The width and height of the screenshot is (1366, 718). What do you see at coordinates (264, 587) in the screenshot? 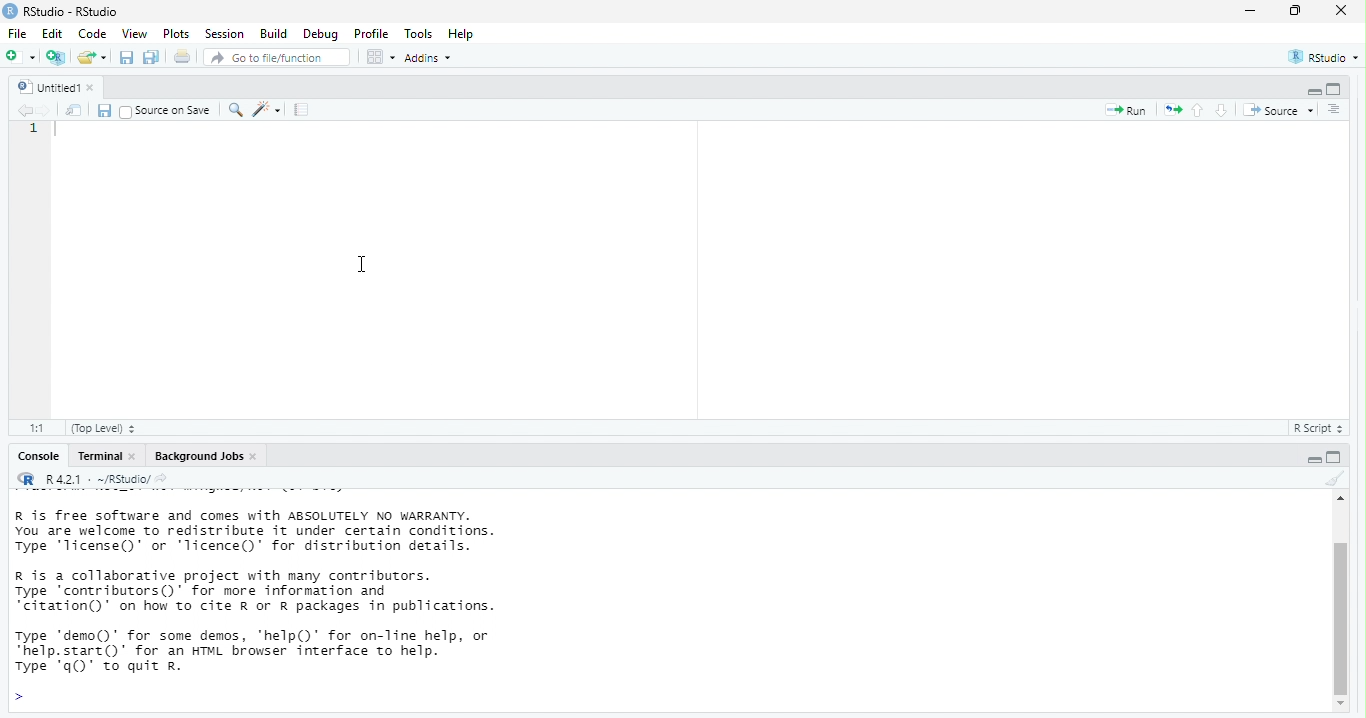
I see `information about R and it's license` at bounding box center [264, 587].